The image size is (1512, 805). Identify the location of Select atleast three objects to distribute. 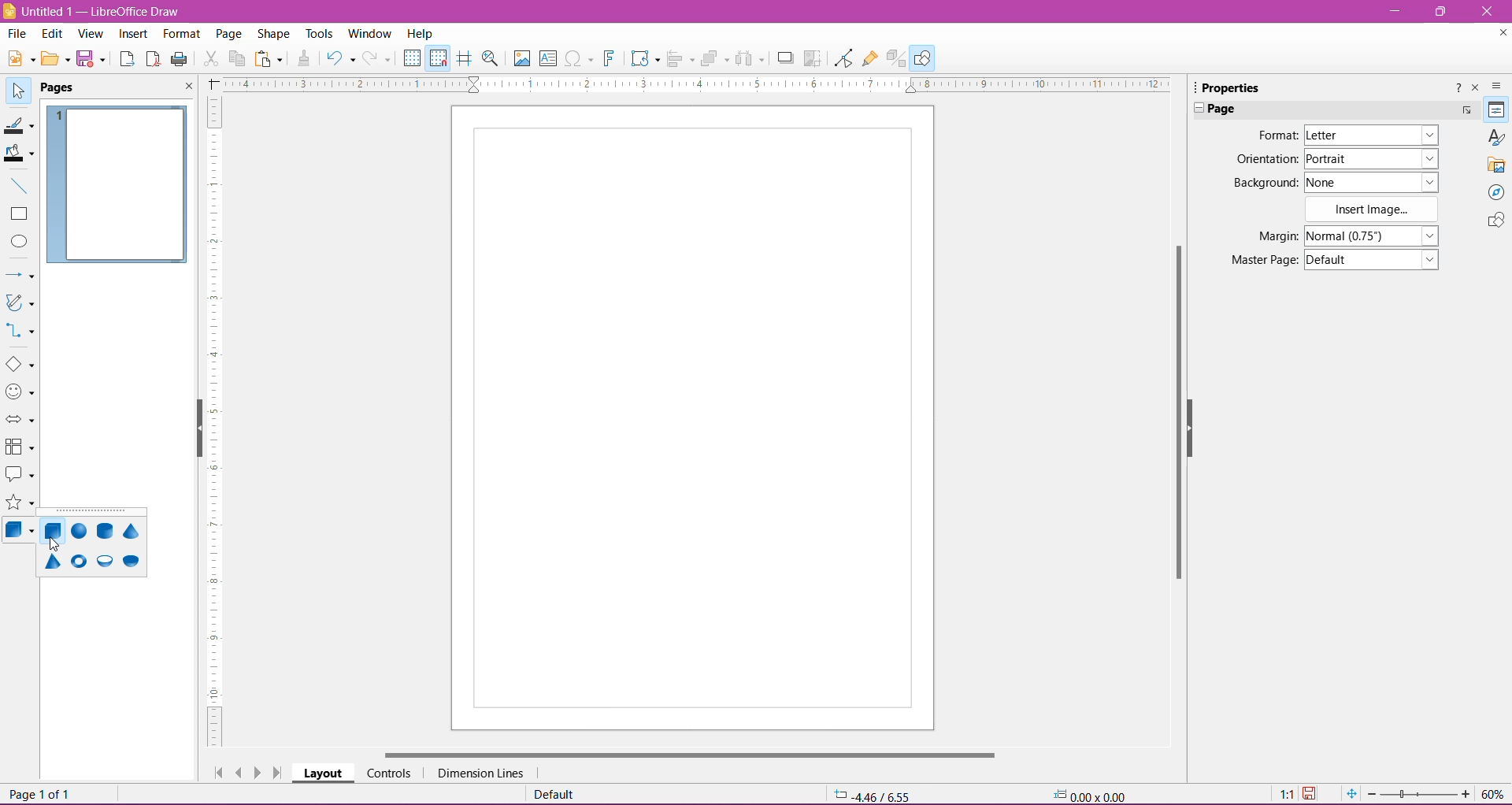
(749, 58).